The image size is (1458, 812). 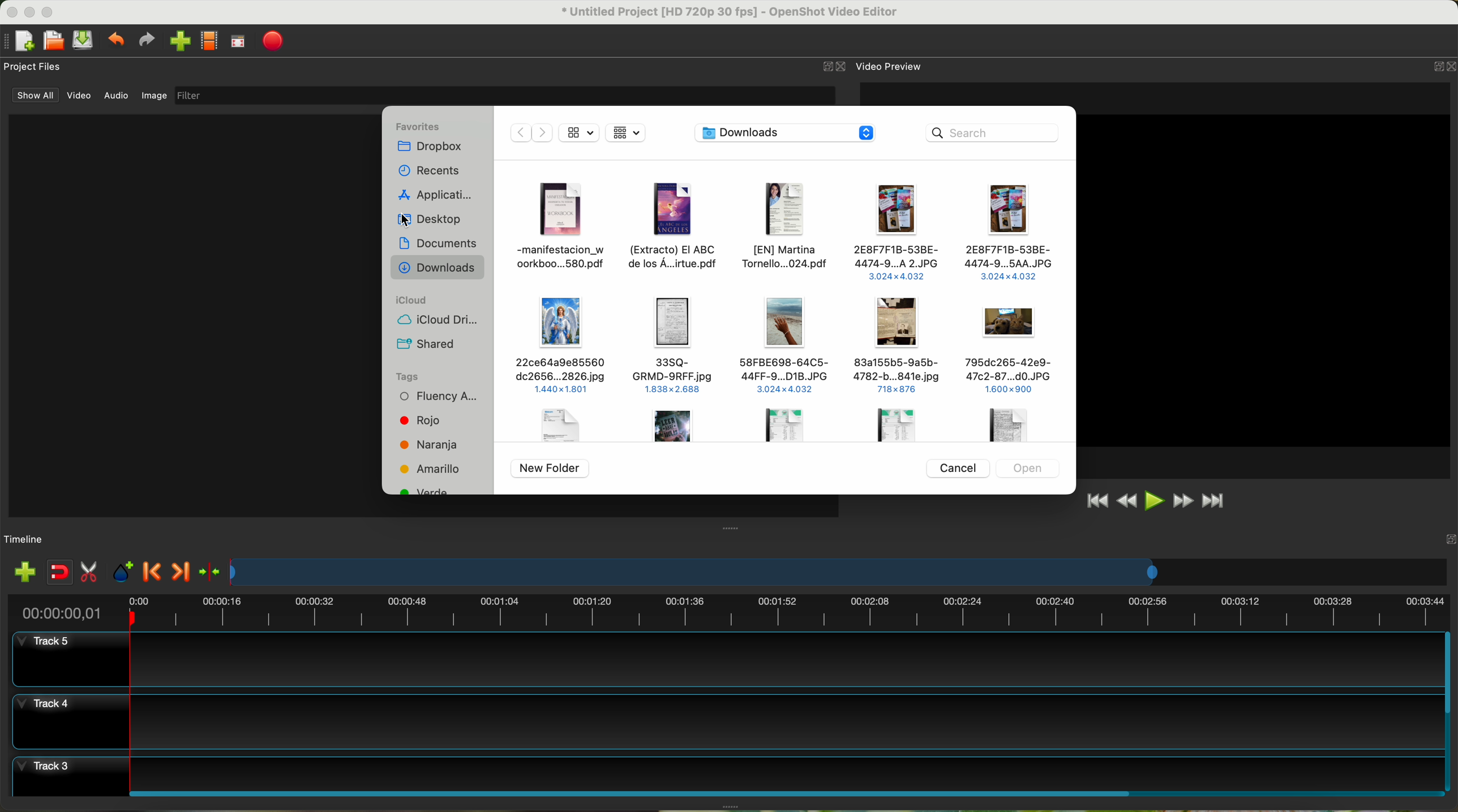 I want to click on show all, so click(x=33, y=95).